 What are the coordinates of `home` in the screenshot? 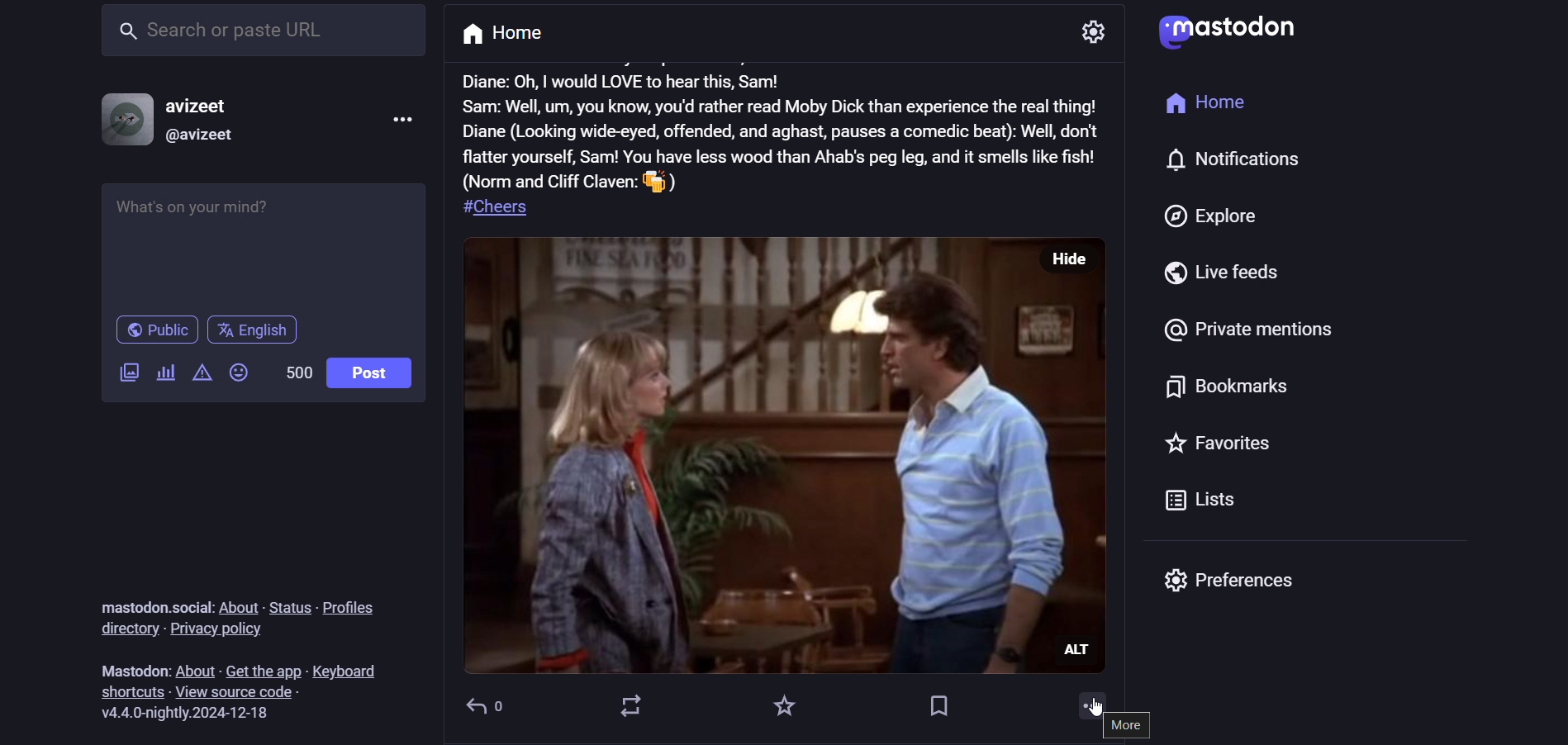 It's located at (514, 35).